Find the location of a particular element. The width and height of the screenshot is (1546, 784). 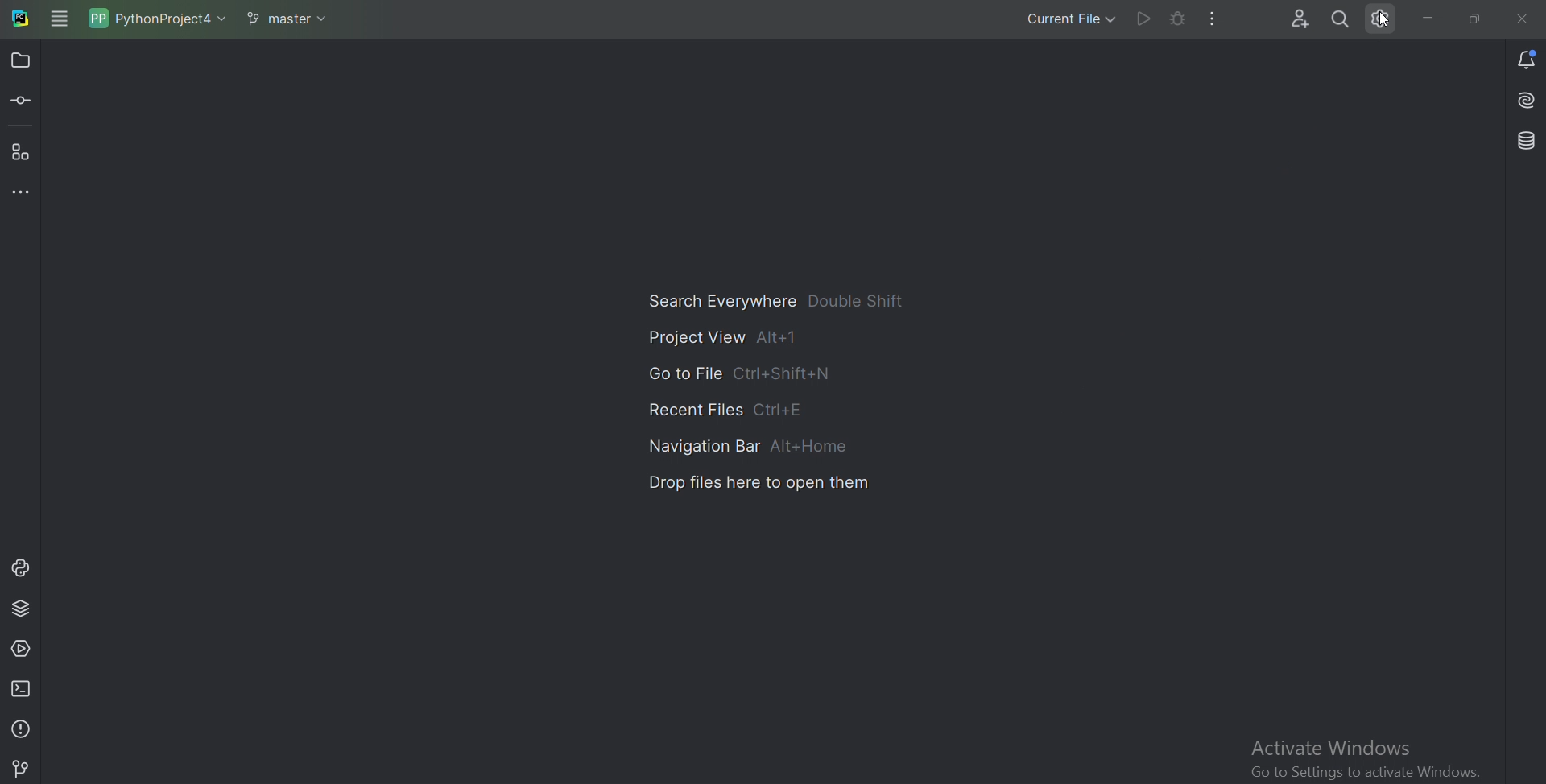

Search Everywhere double shift is located at coordinates (772, 296).